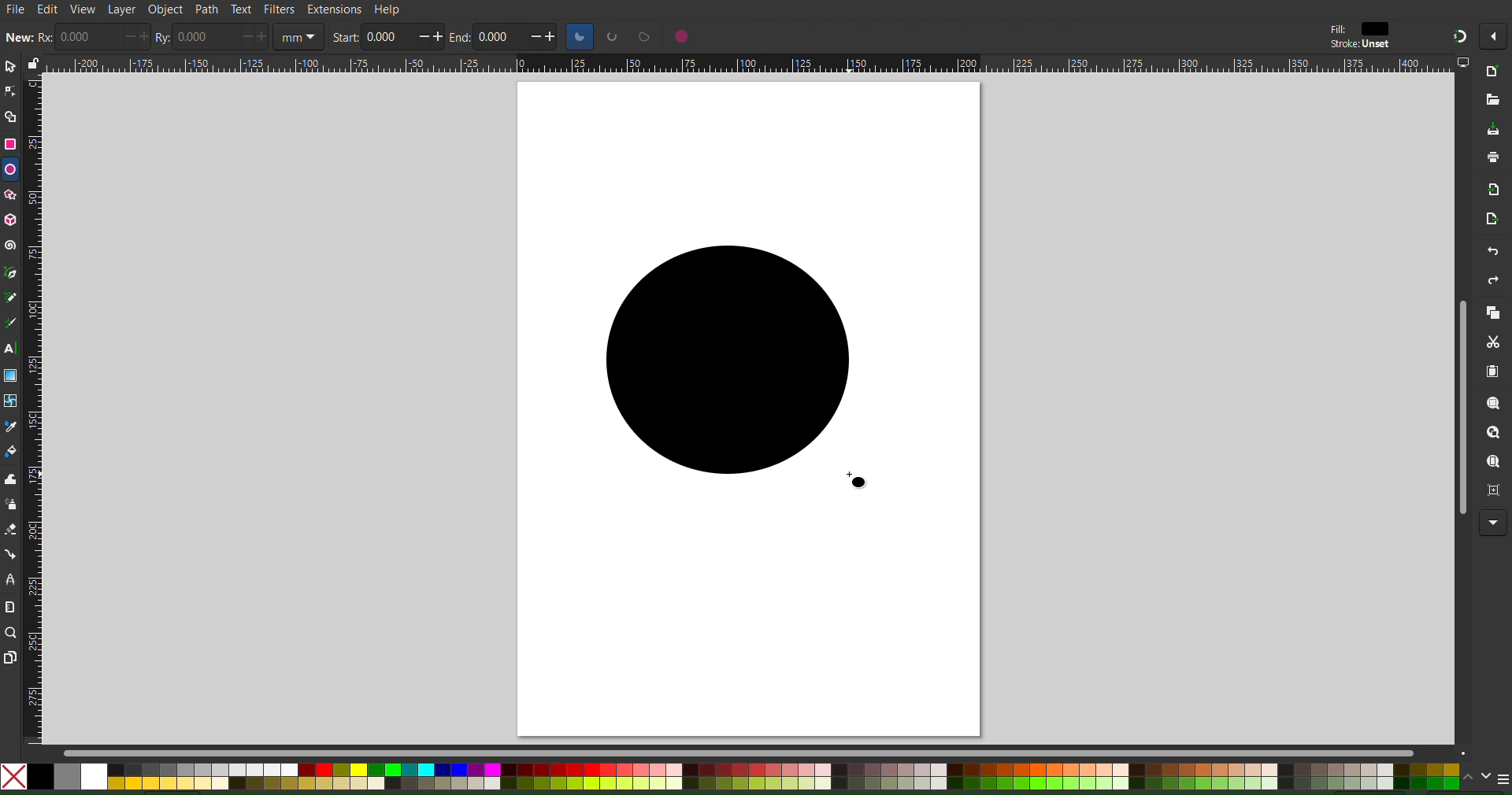 Image resolution: width=1512 pixels, height=795 pixels. What do you see at coordinates (764, 752) in the screenshot?
I see `Scrollbar` at bounding box center [764, 752].